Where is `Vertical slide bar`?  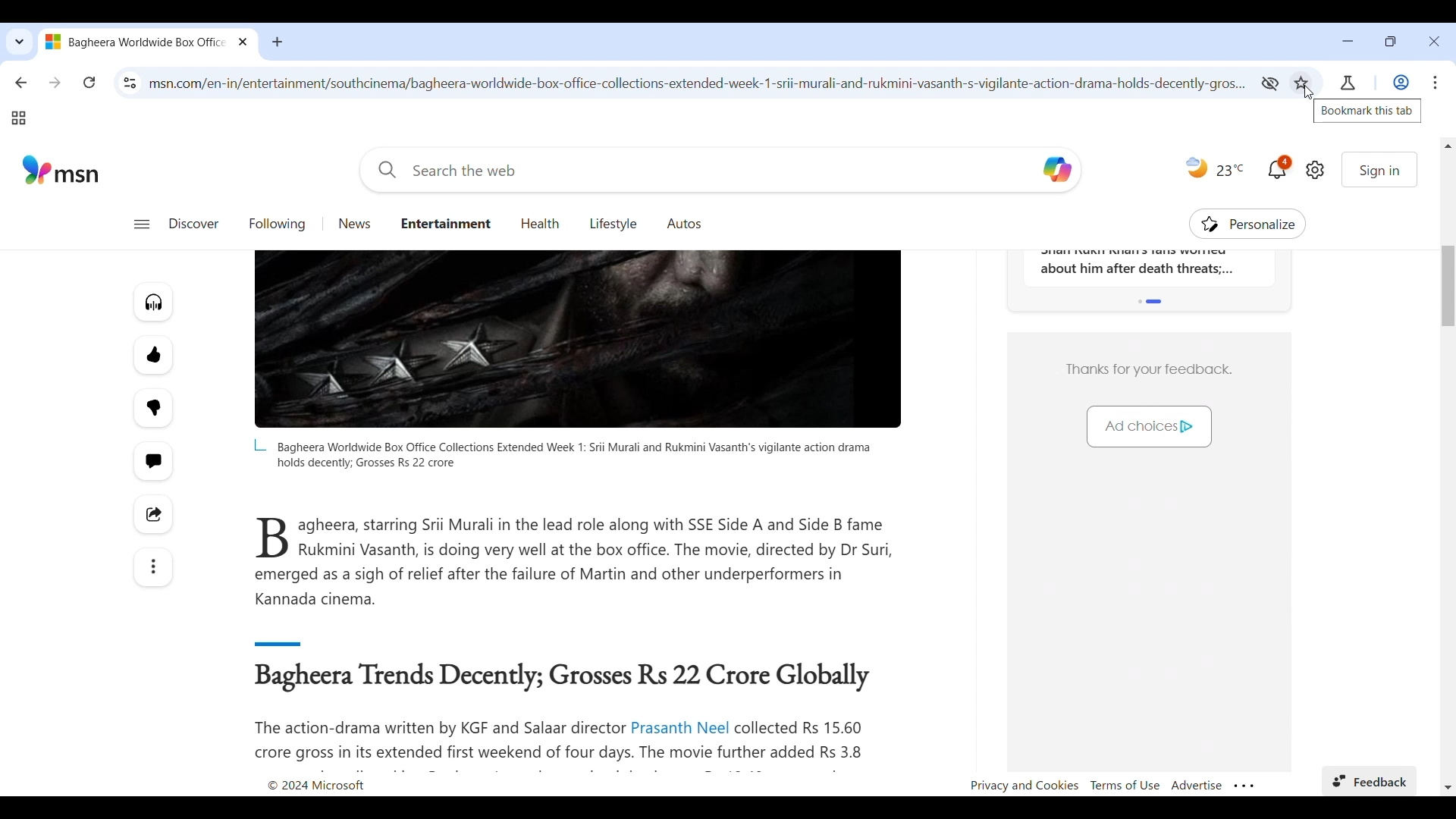
Vertical slide bar is located at coordinates (1448, 286).